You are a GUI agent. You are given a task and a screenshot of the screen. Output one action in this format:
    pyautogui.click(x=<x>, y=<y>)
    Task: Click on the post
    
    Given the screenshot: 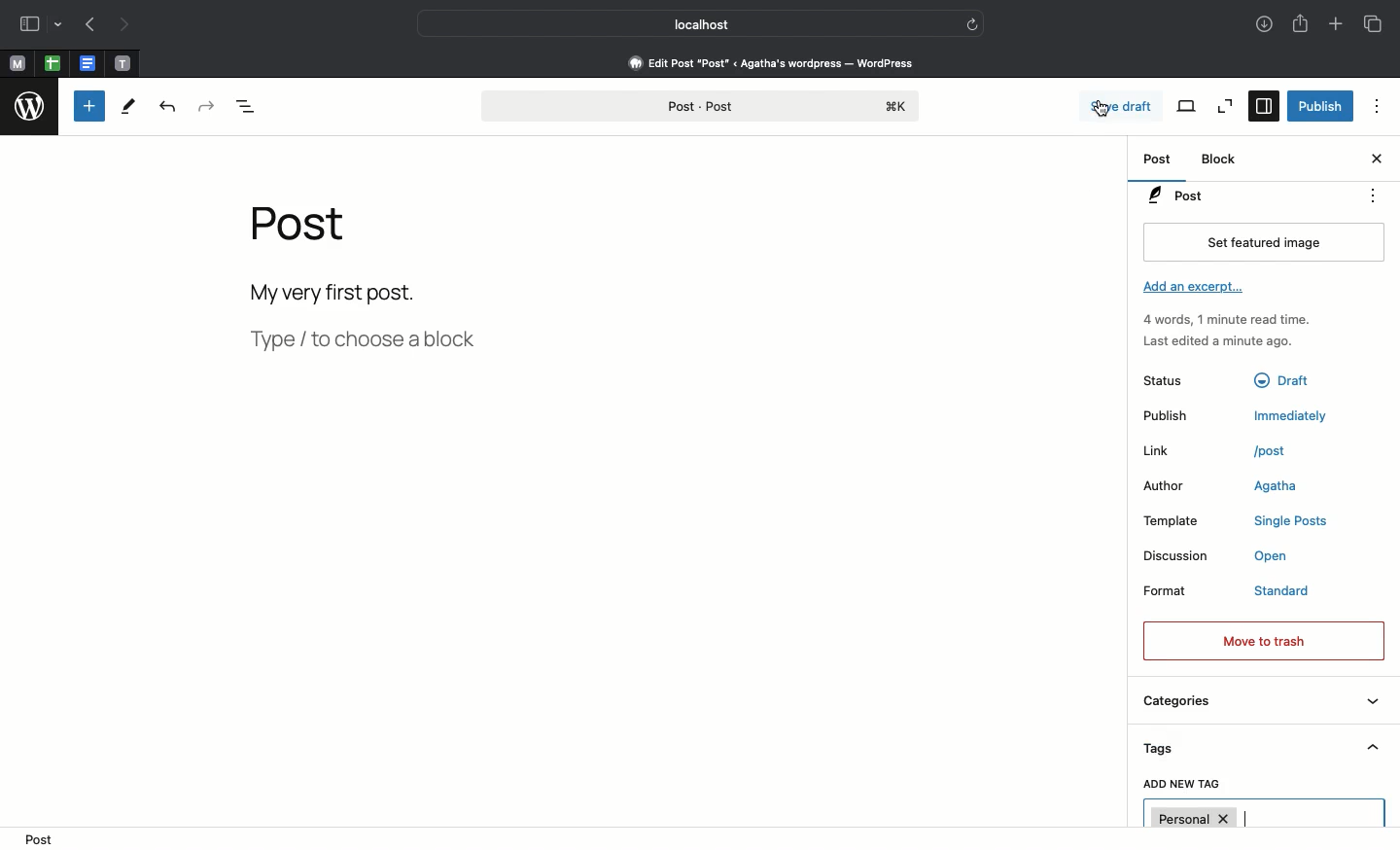 What is the action you would take?
    pyautogui.click(x=46, y=838)
    